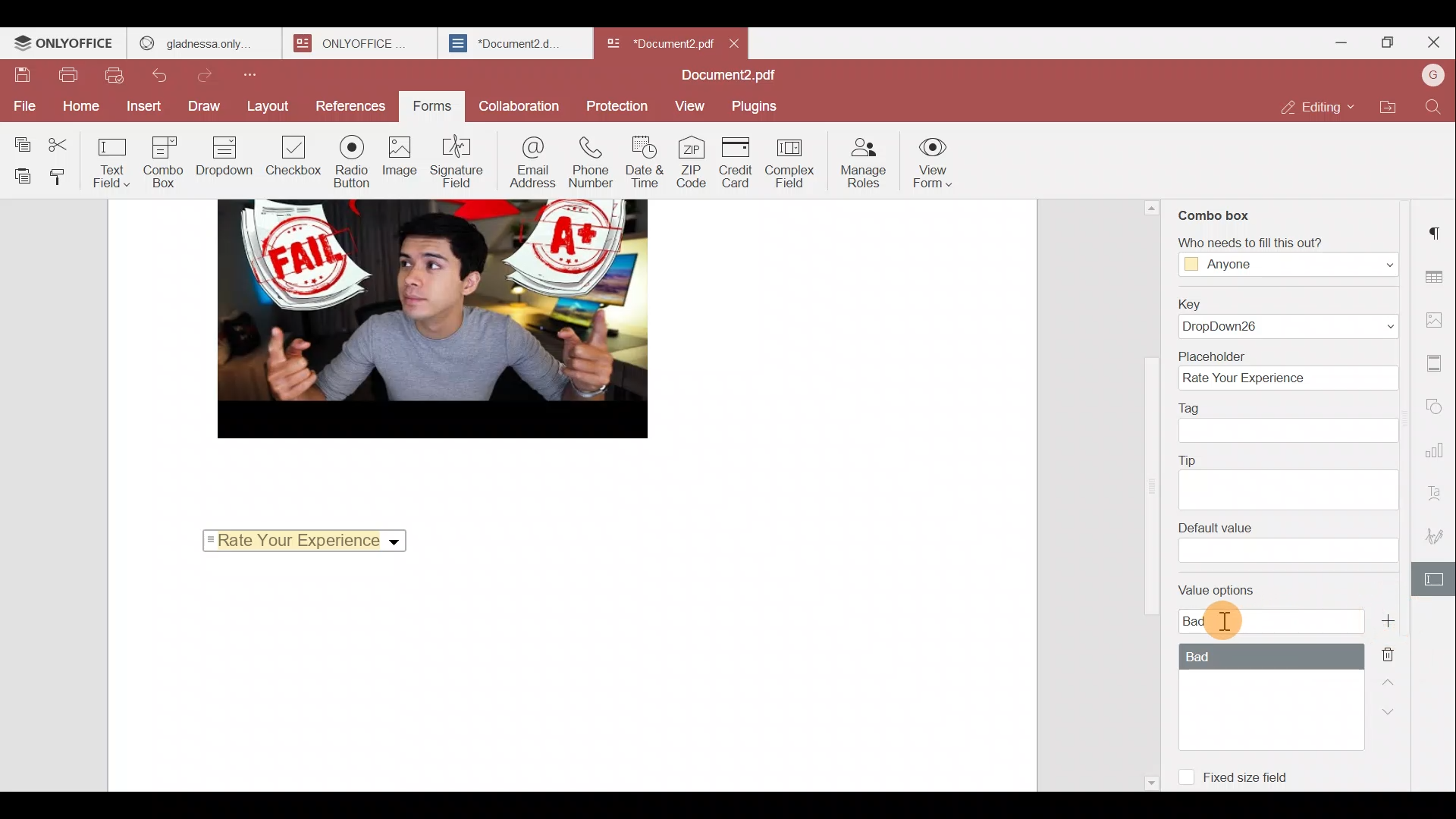 Image resolution: width=1456 pixels, height=819 pixels. What do you see at coordinates (757, 106) in the screenshot?
I see `Plugins` at bounding box center [757, 106].